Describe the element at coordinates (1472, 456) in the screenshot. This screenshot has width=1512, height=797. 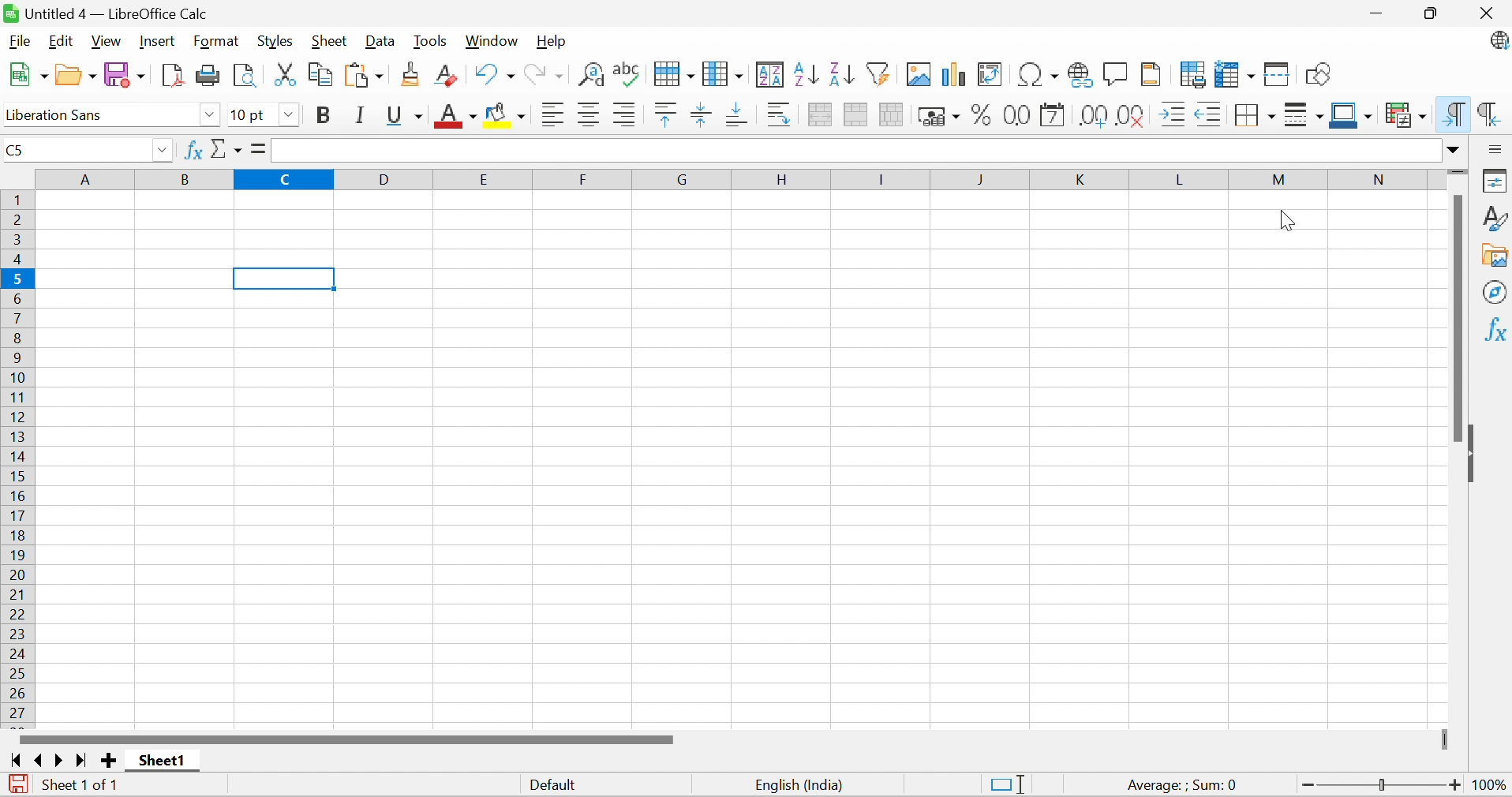
I see `Hide` at that location.